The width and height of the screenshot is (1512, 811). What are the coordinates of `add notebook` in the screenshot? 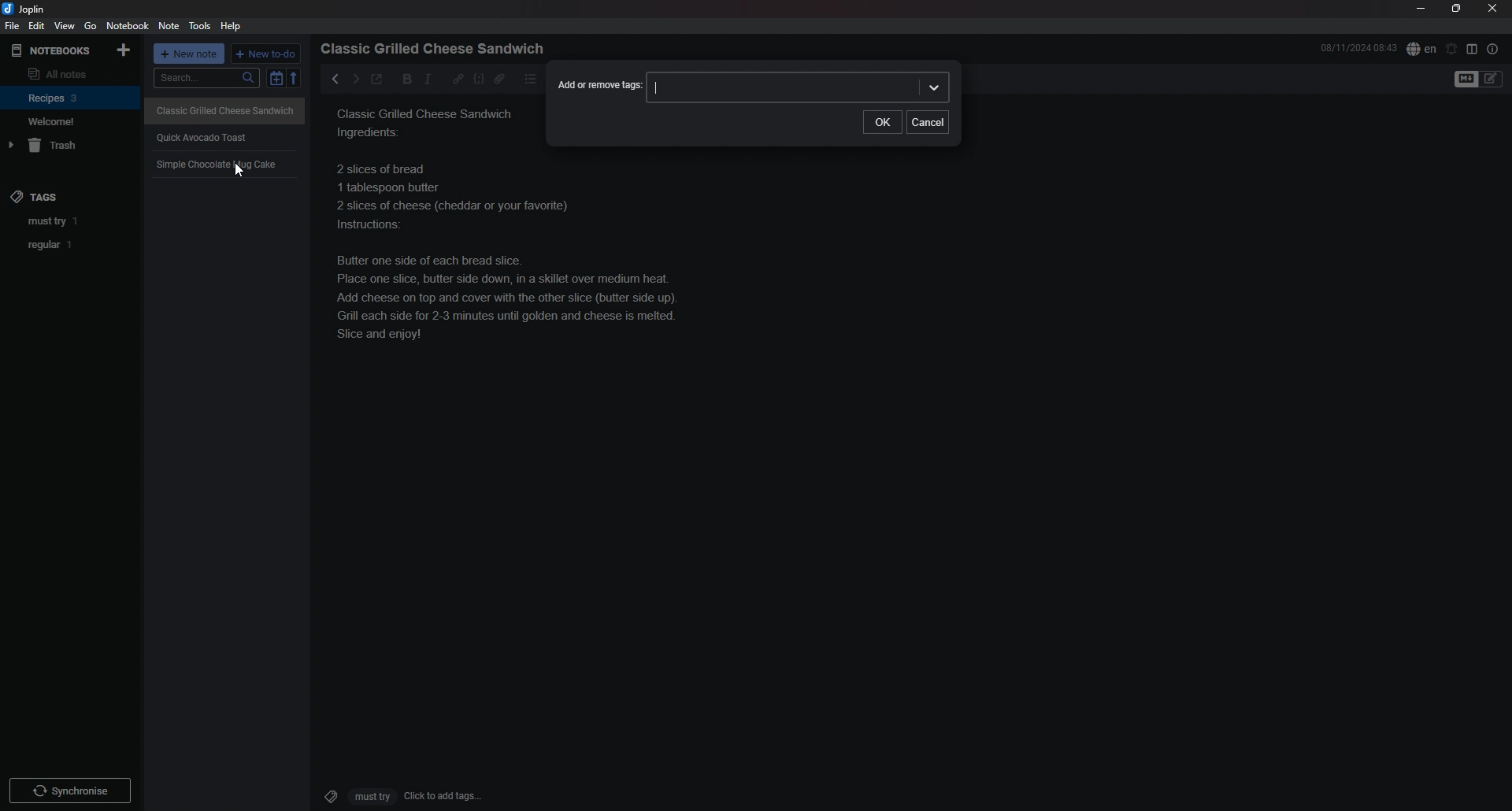 It's located at (125, 49).